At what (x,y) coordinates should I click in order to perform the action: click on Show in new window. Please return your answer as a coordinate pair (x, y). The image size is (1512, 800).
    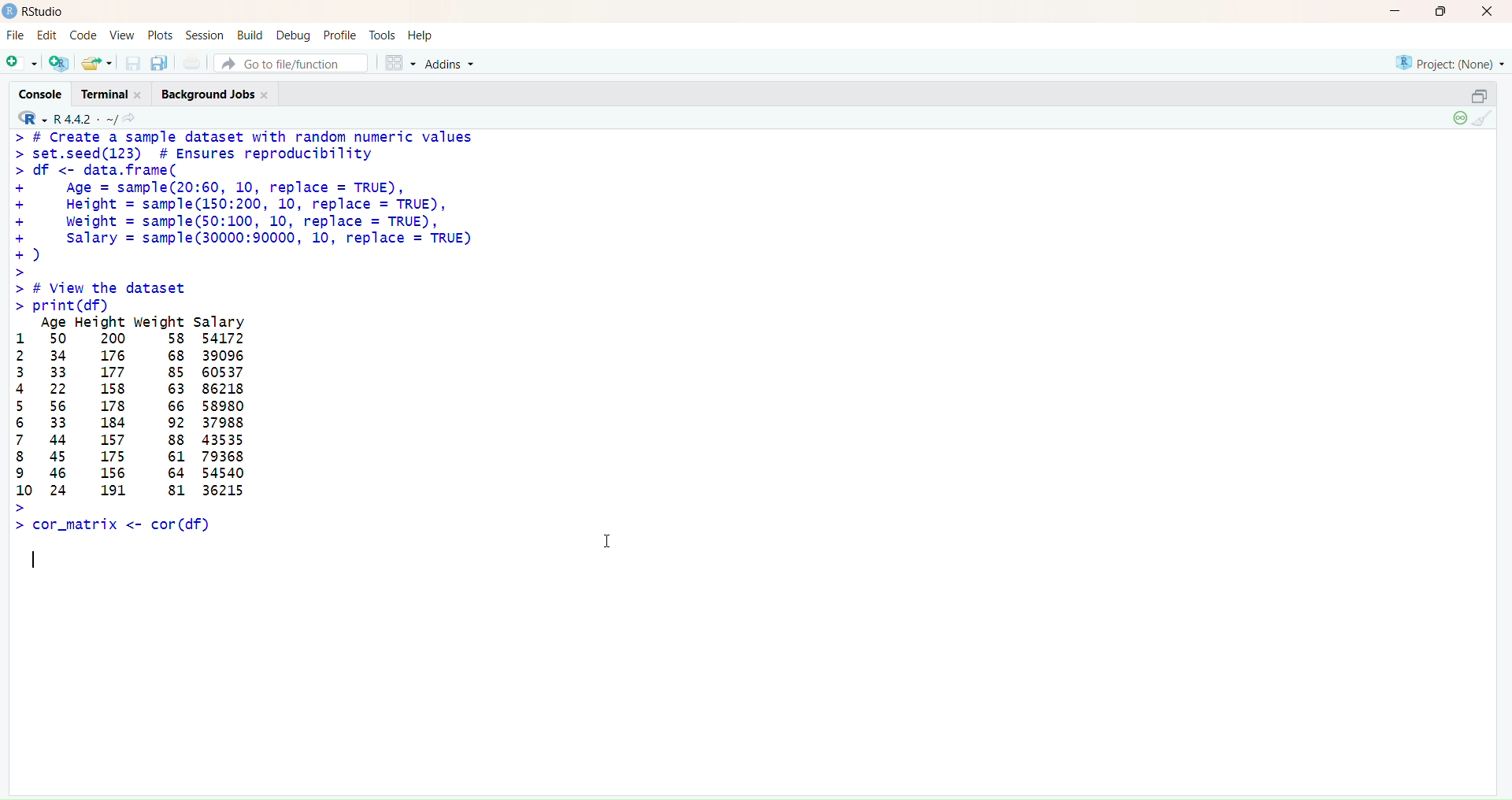
    Looking at the image, I should click on (135, 118).